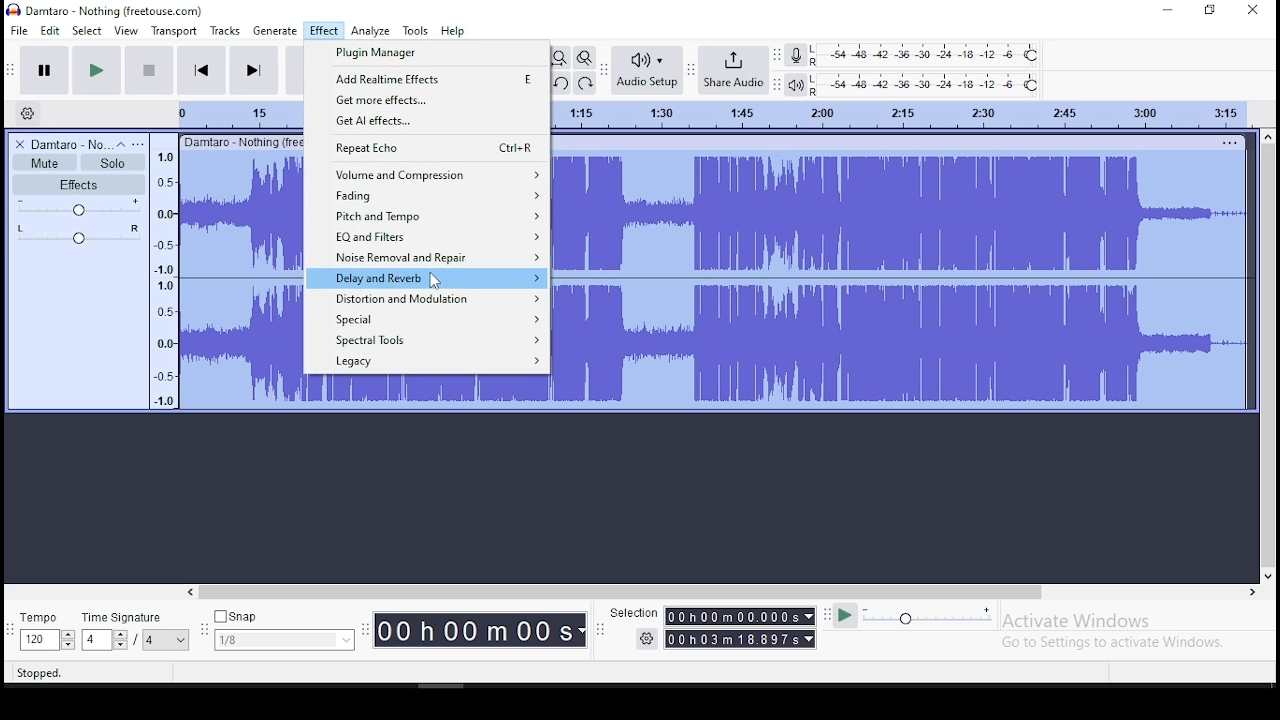 The image size is (1280, 720). What do you see at coordinates (417, 31) in the screenshot?
I see `tools` at bounding box center [417, 31].